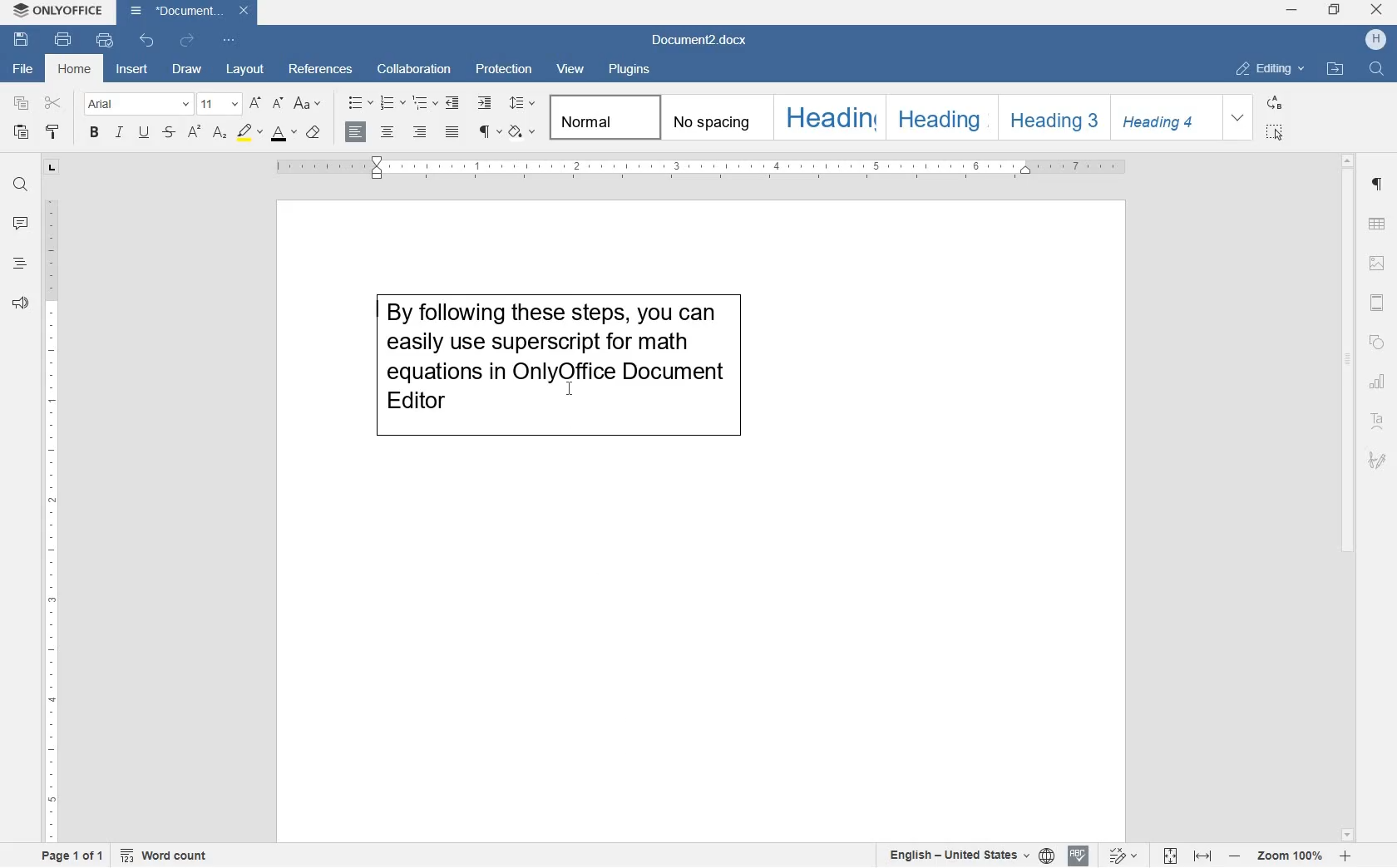  Describe the element at coordinates (53, 132) in the screenshot. I see `copy style` at that location.